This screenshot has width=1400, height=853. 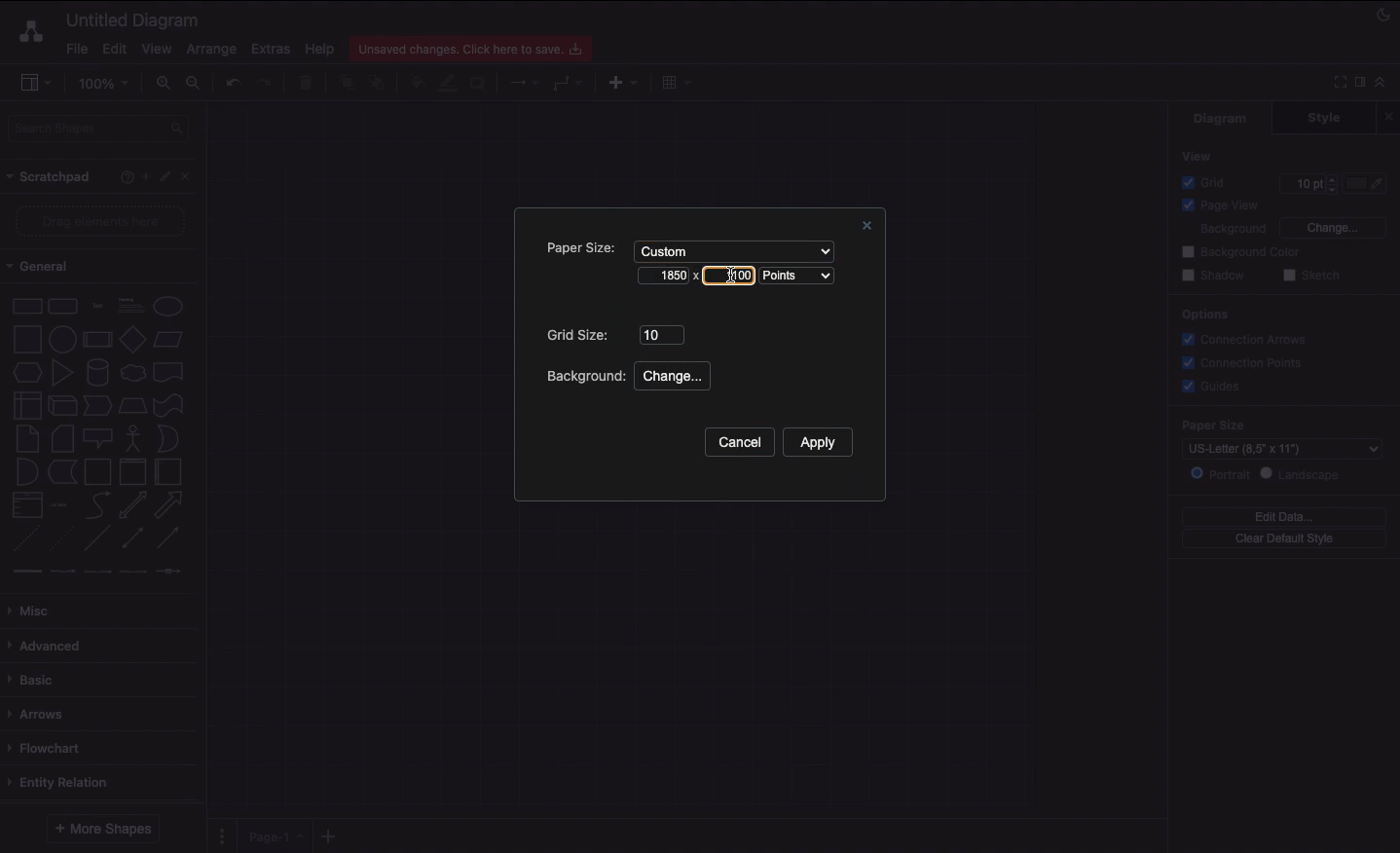 I want to click on Hexagon, so click(x=26, y=373).